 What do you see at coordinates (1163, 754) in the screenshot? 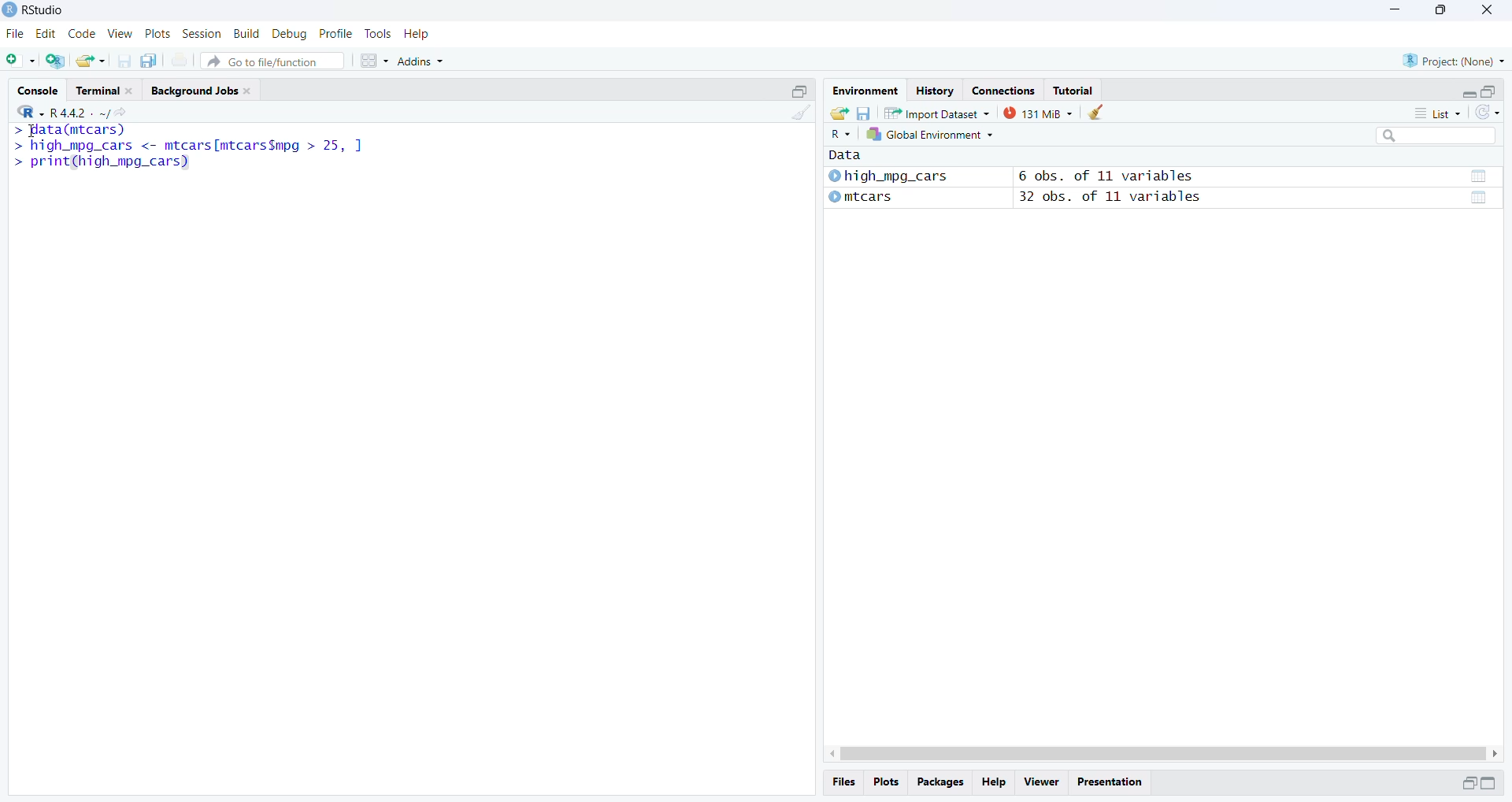
I see `Scrollbar` at bounding box center [1163, 754].